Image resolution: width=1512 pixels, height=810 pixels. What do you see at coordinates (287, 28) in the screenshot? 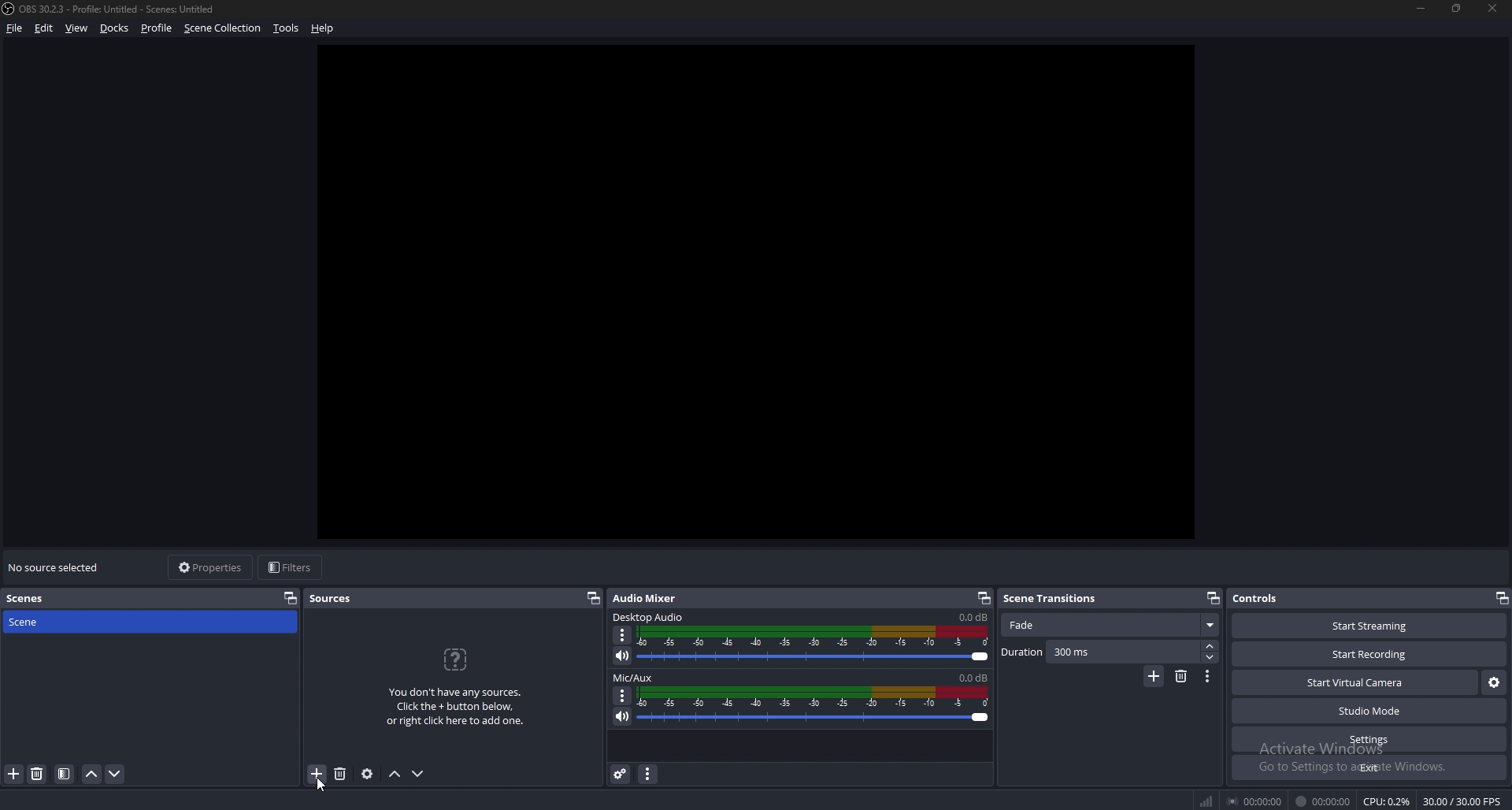
I see `Tools` at bounding box center [287, 28].